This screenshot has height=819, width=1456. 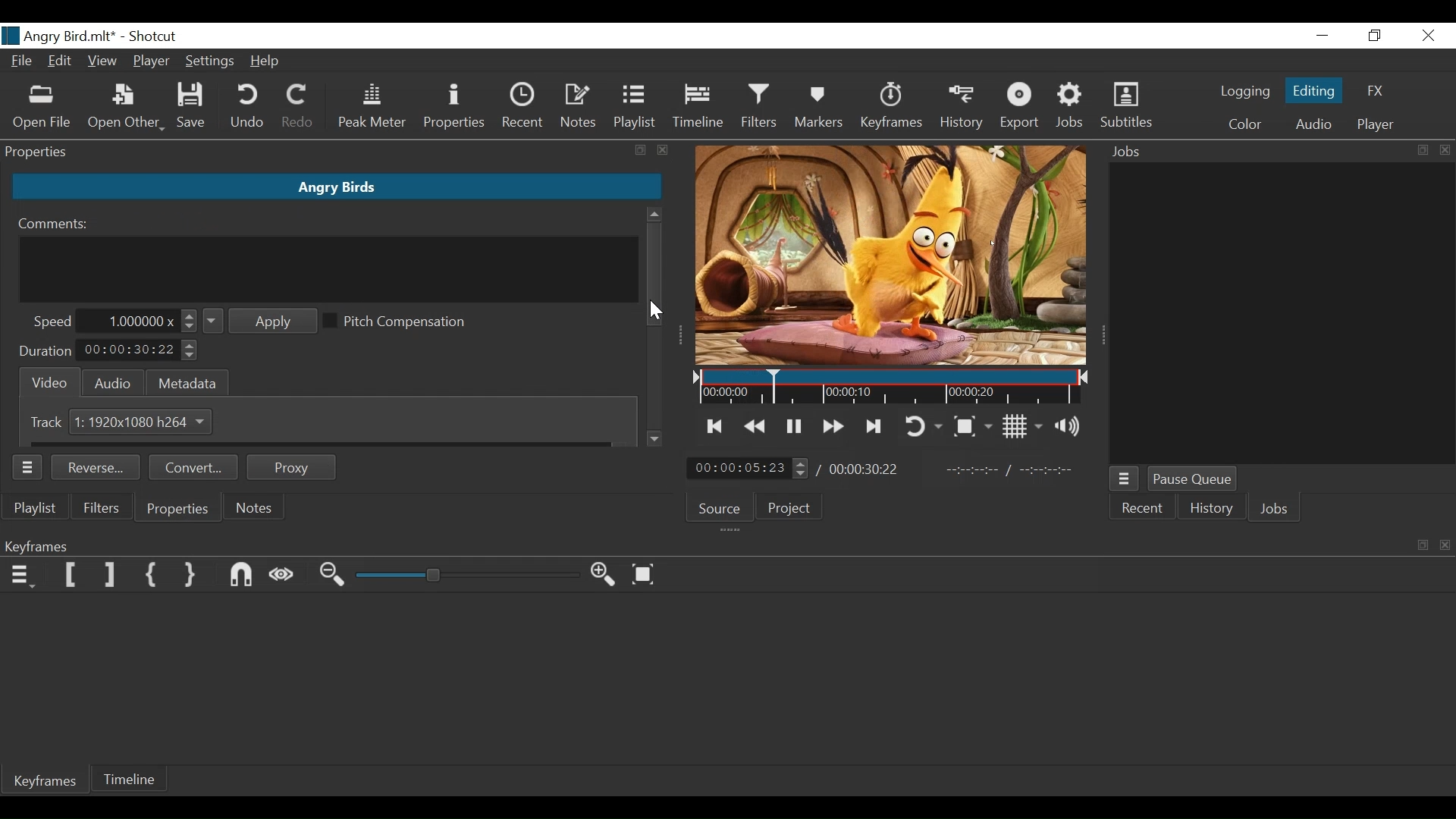 I want to click on Current position, so click(x=749, y=468).